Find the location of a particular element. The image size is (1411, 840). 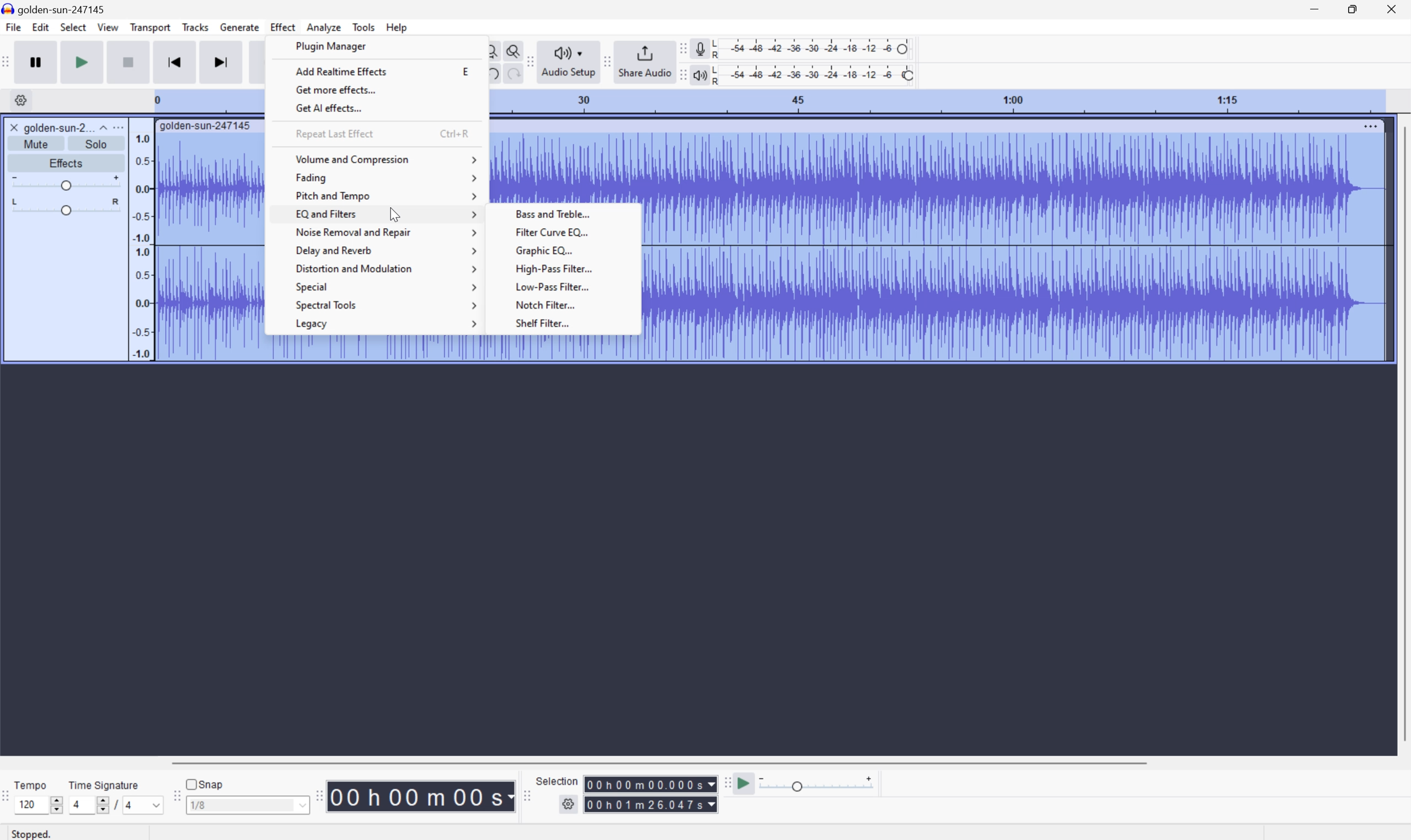

Selection is located at coordinates (650, 804).